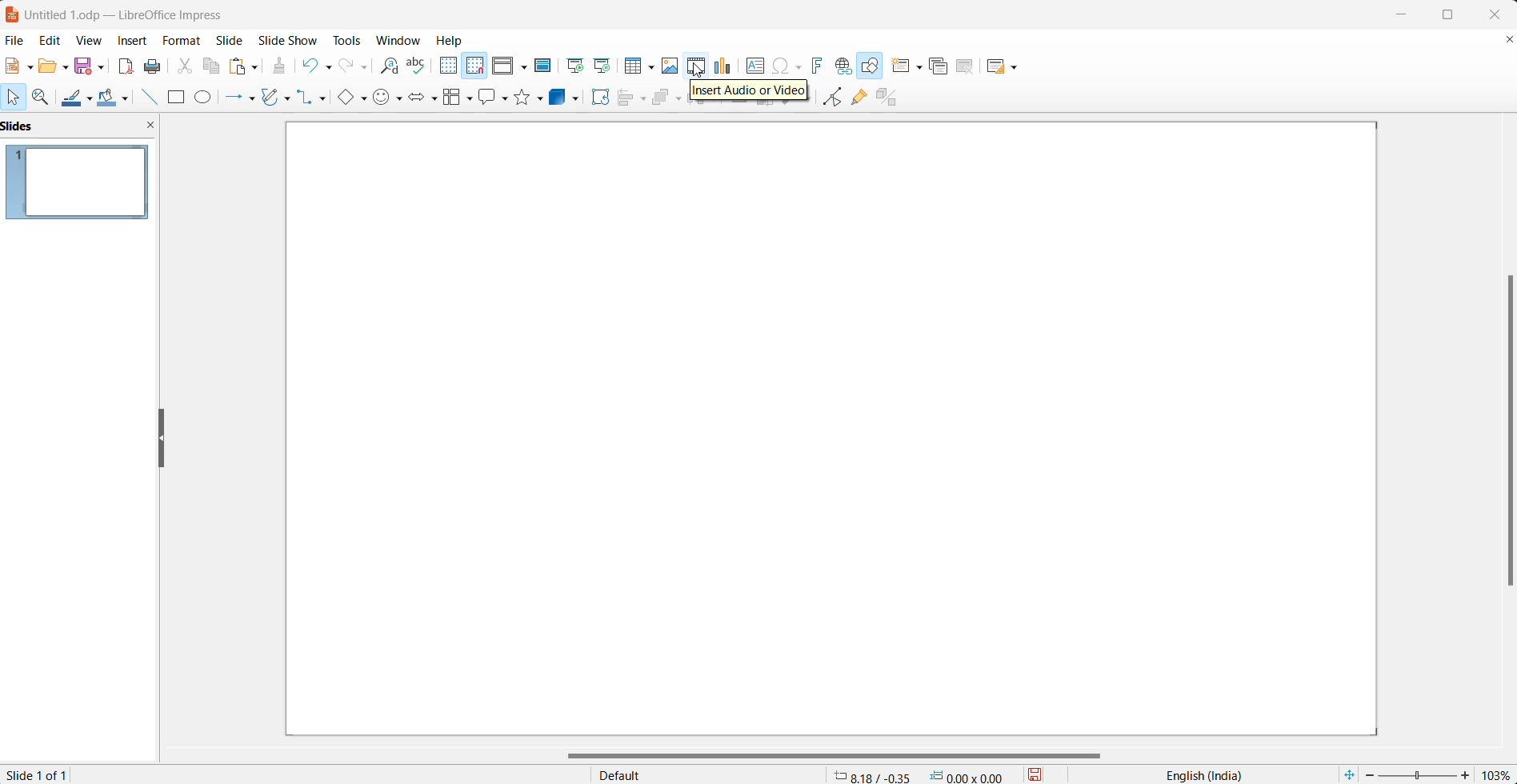  Describe the element at coordinates (152, 66) in the screenshot. I see `print` at that location.